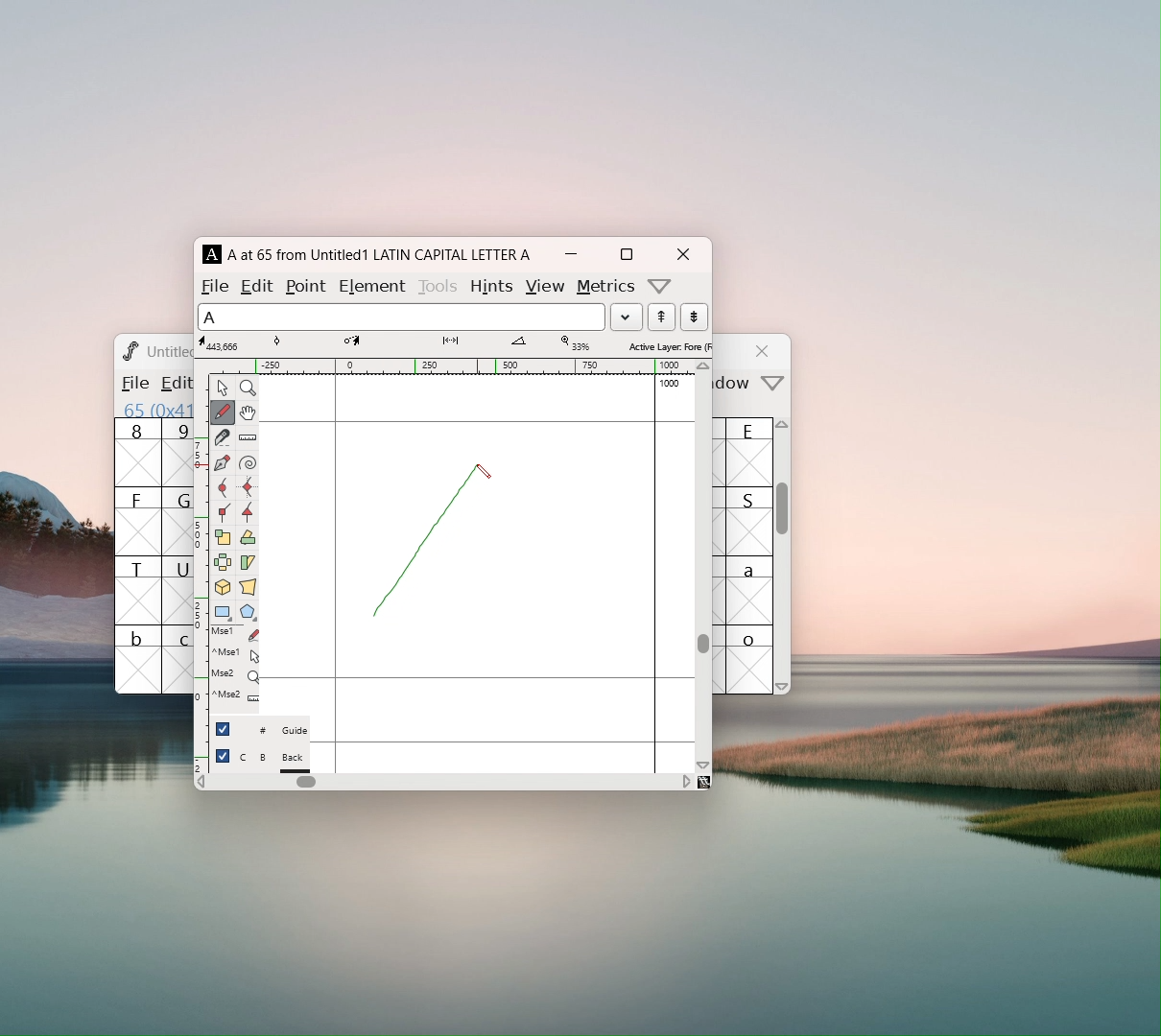  Describe the element at coordinates (213, 254) in the screenshot. I see `A` at that location.